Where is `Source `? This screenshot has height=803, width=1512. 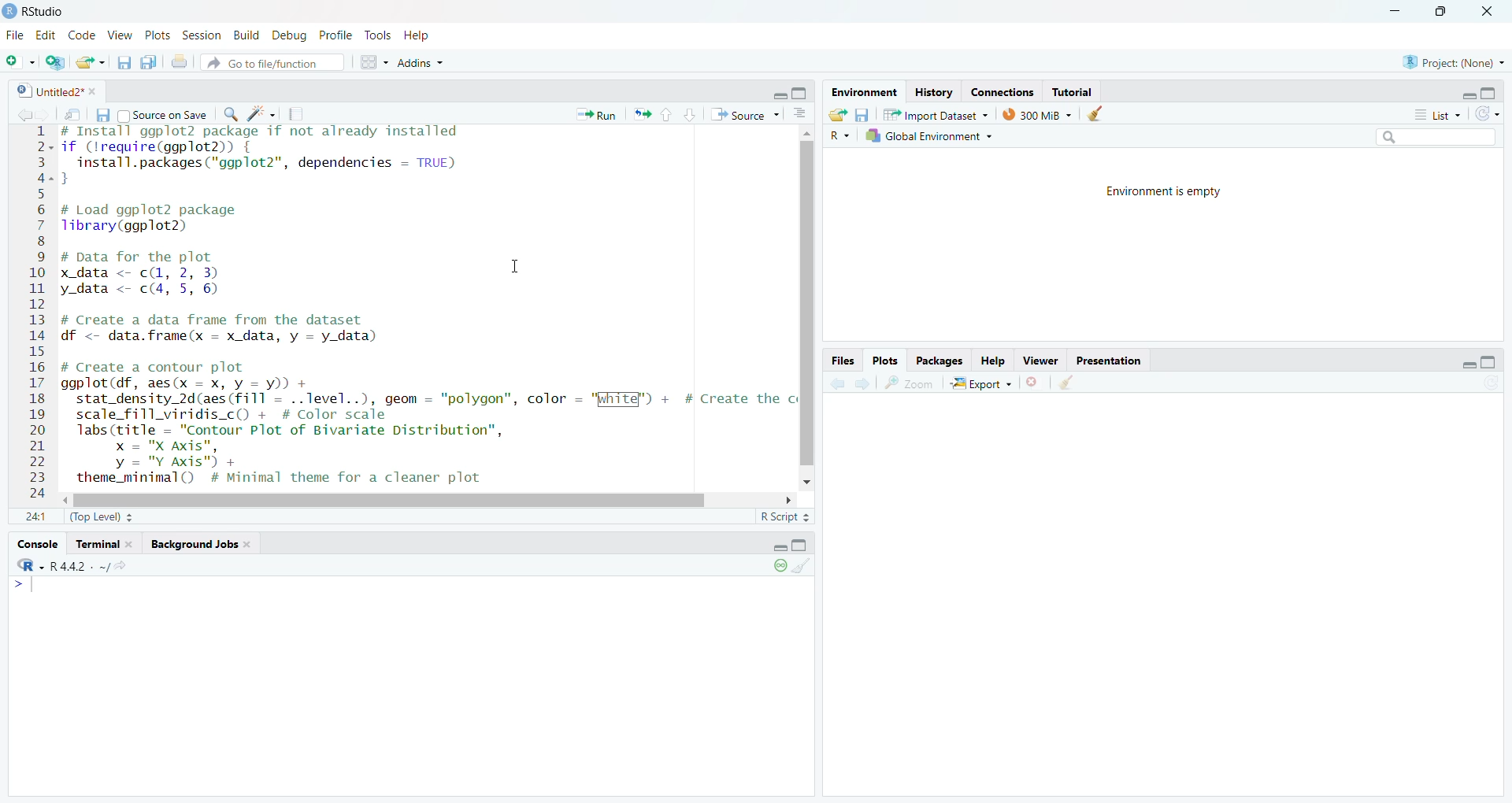
Source  is located at coordinates (745, 116).